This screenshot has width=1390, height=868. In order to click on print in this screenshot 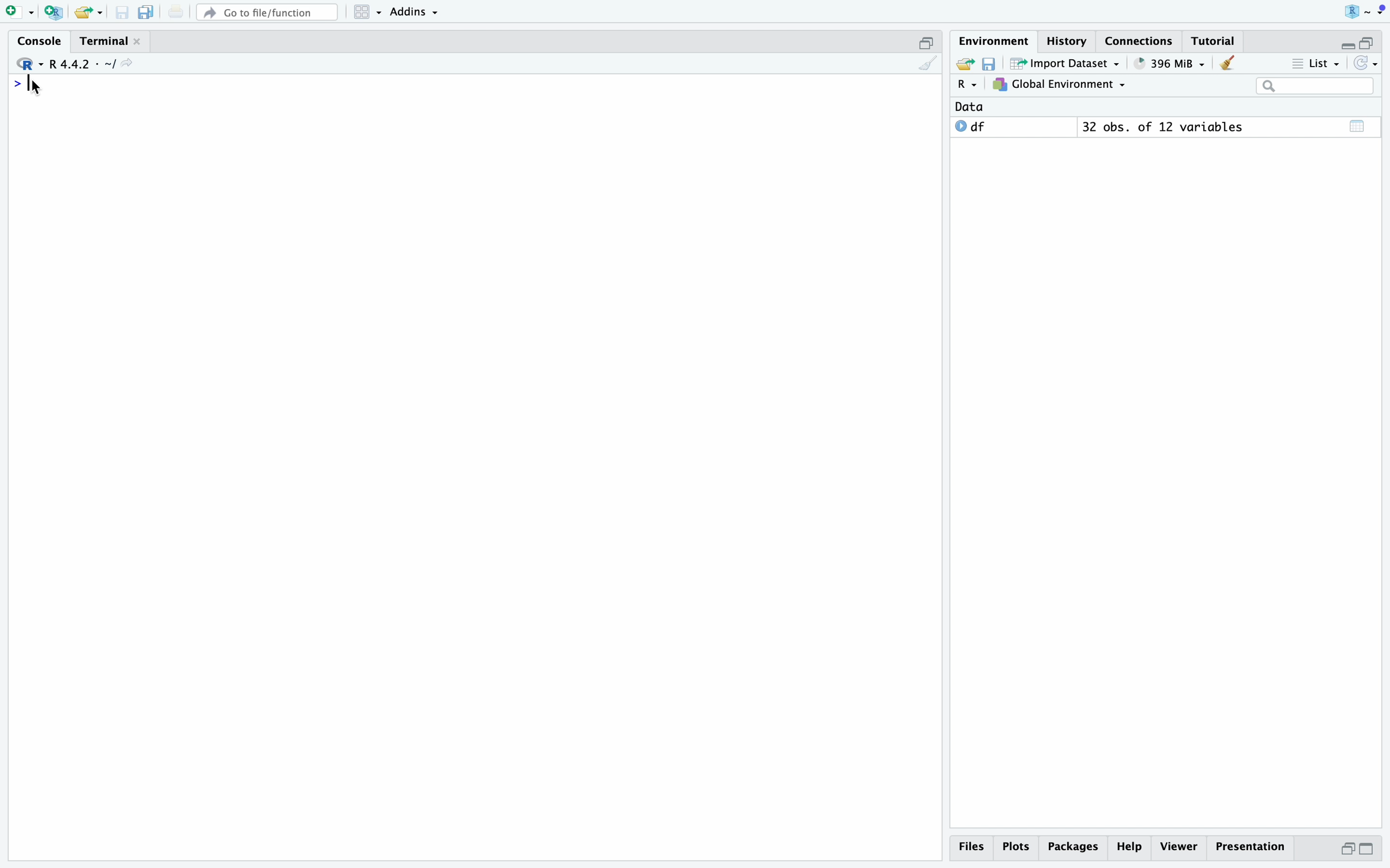, I will do `click(176, 12)`.